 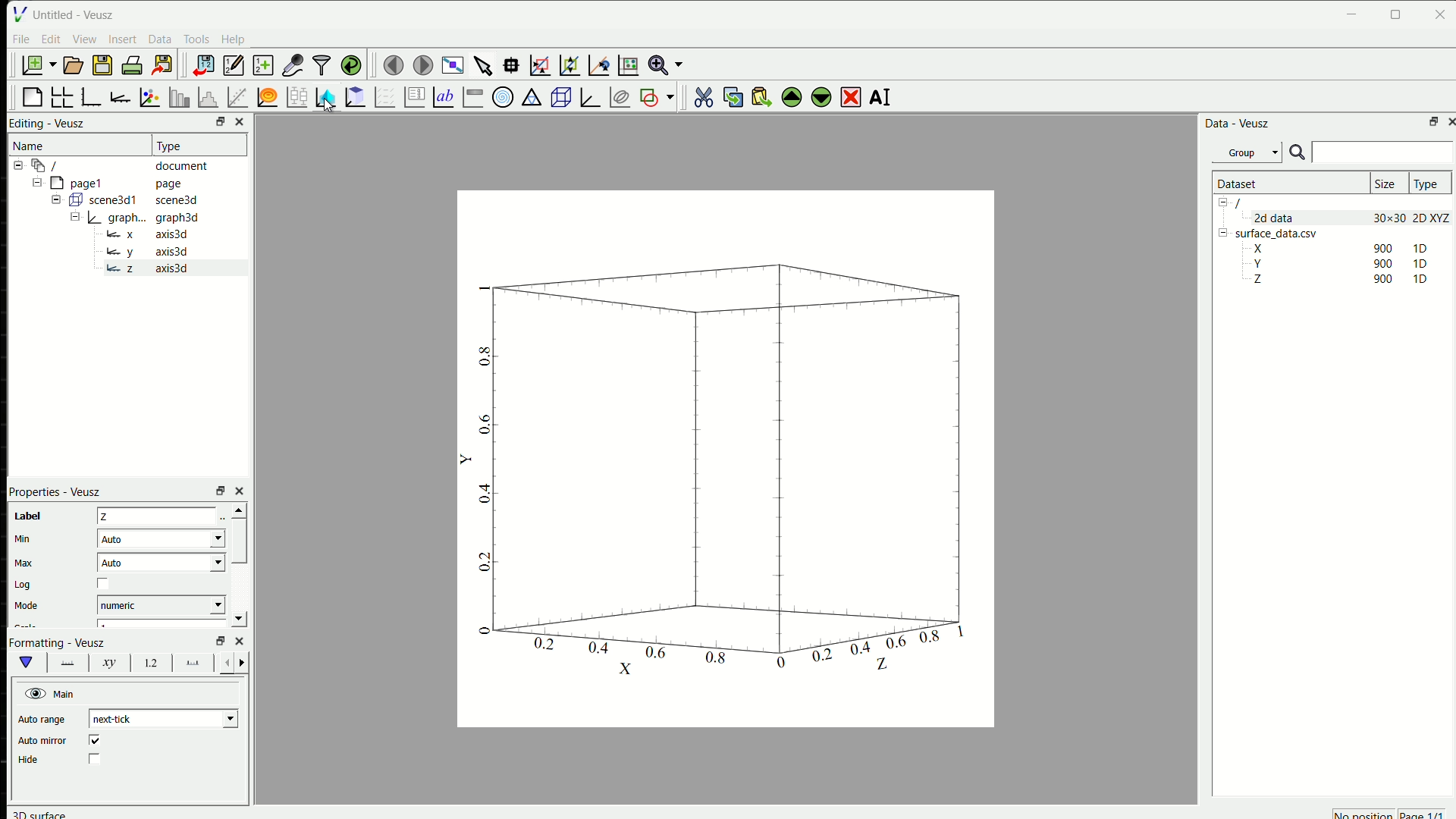 I want to click on Drop-down , so click(x=218, y=562).